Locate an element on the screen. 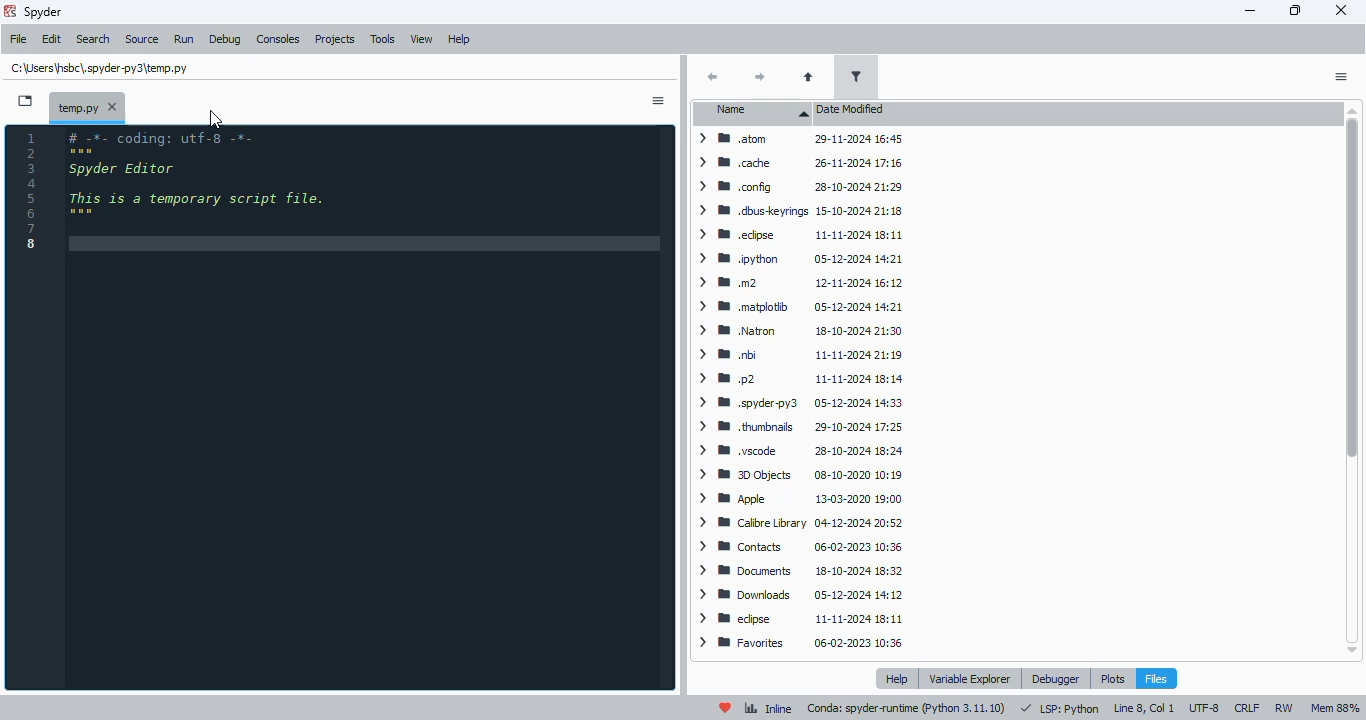  cursor is located at coordinates (217, 120).